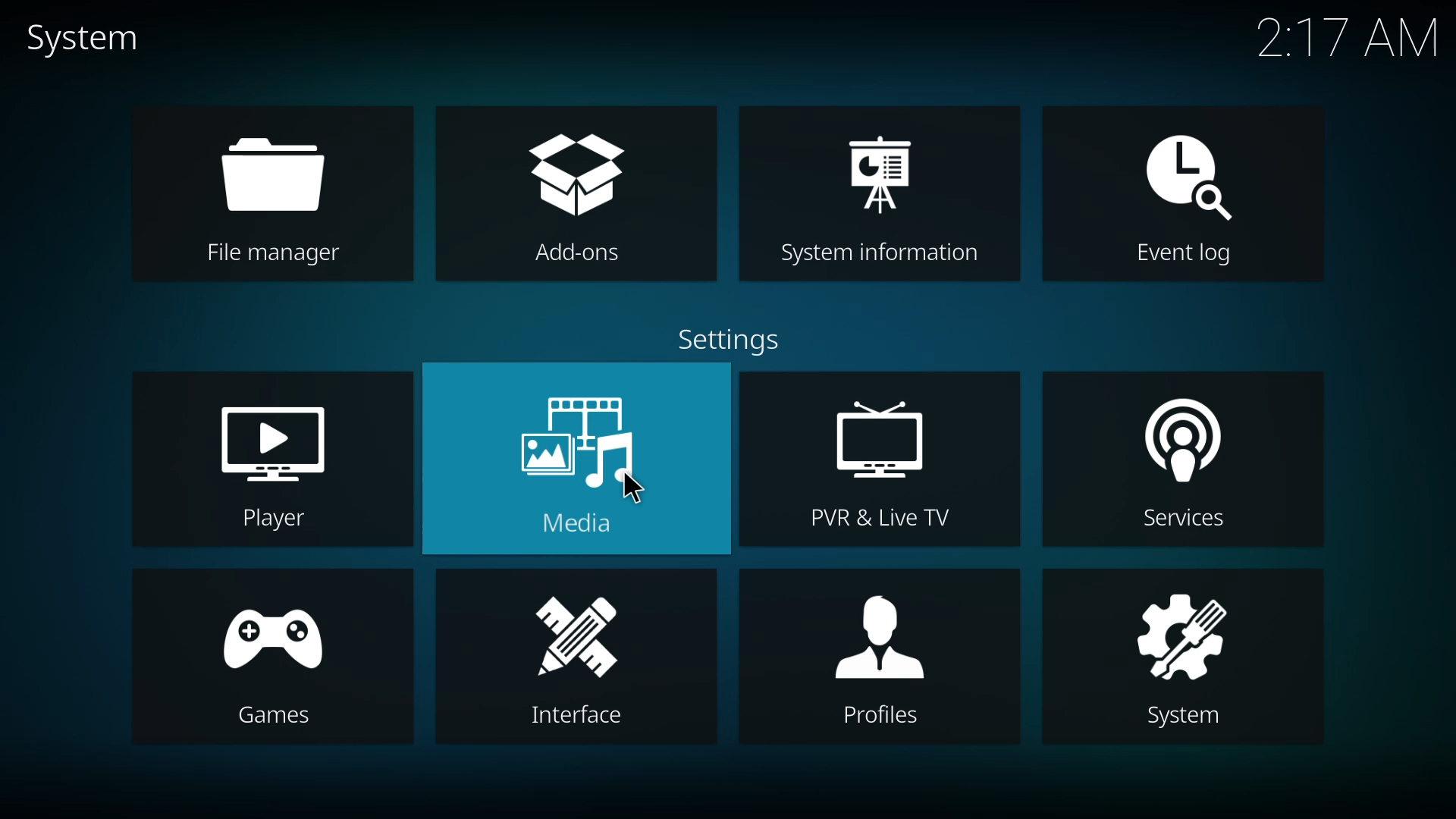  What do you see at coordinates (274, 463) in the screenshot?
I see `player` at bounding box center [274, 463].